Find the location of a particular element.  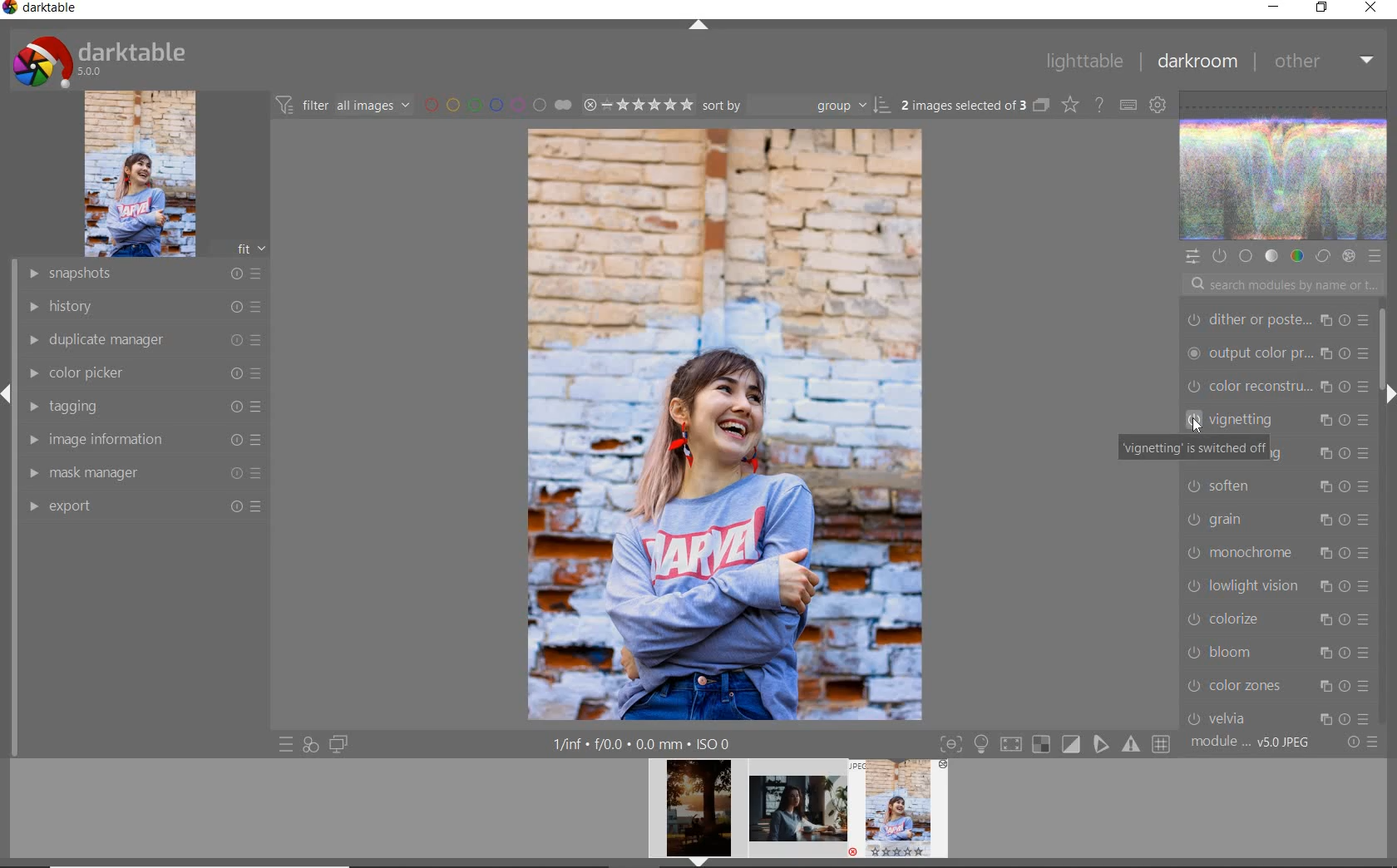

DEFINE KEYBOARD SHORTCUTS is located at coordinates (1128, 105).